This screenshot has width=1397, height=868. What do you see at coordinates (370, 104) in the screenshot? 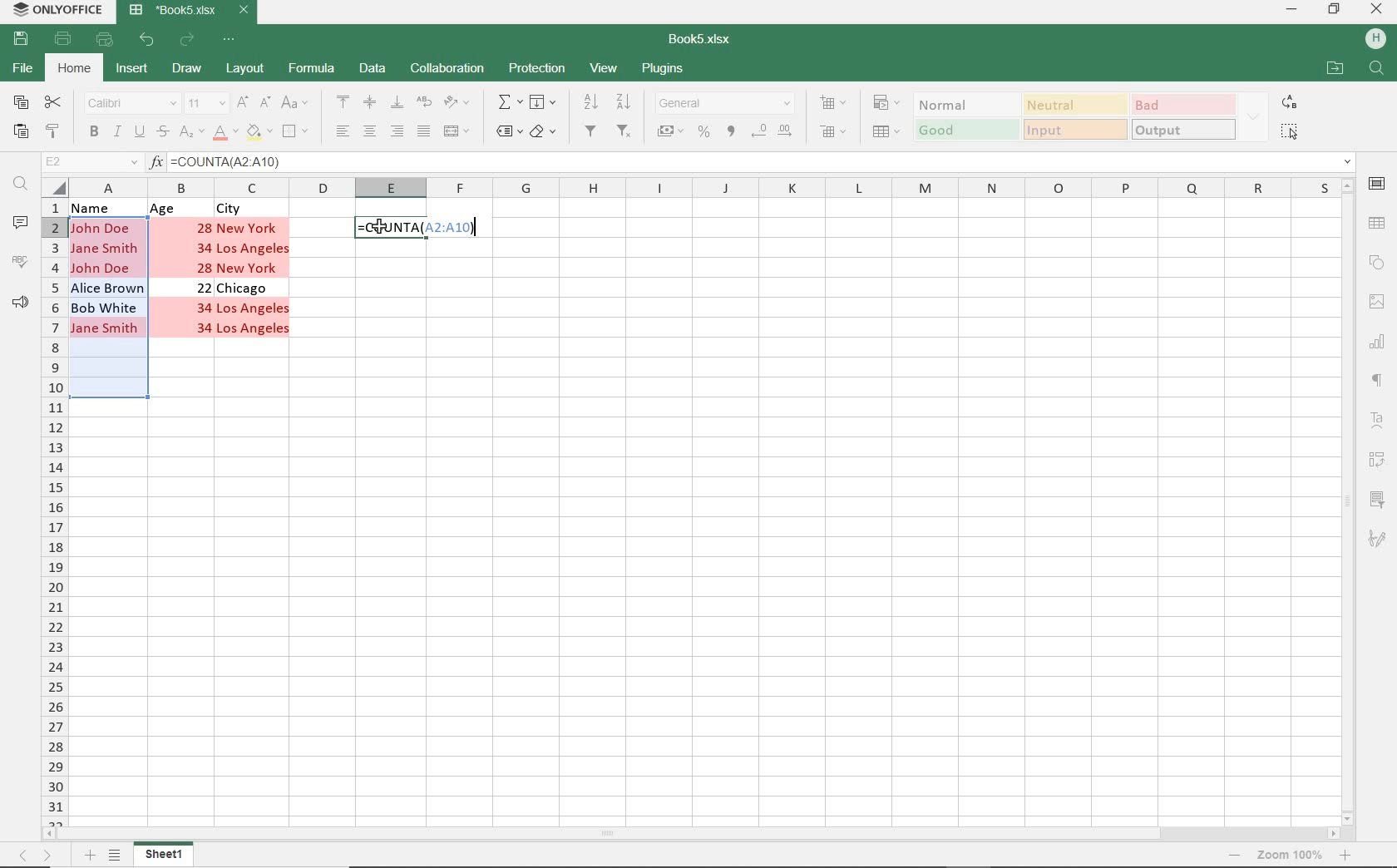
I see `ALIGN MIDDLE` at bounding box center [370, 104].